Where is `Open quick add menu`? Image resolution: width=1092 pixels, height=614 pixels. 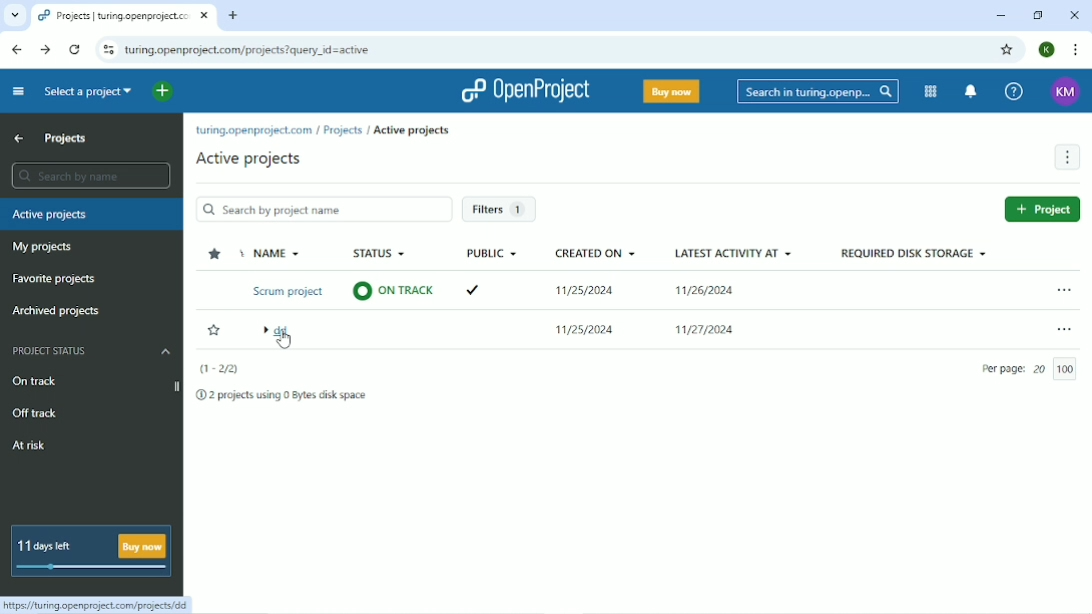
Open quick add menu is located at coordinates (163, 92).